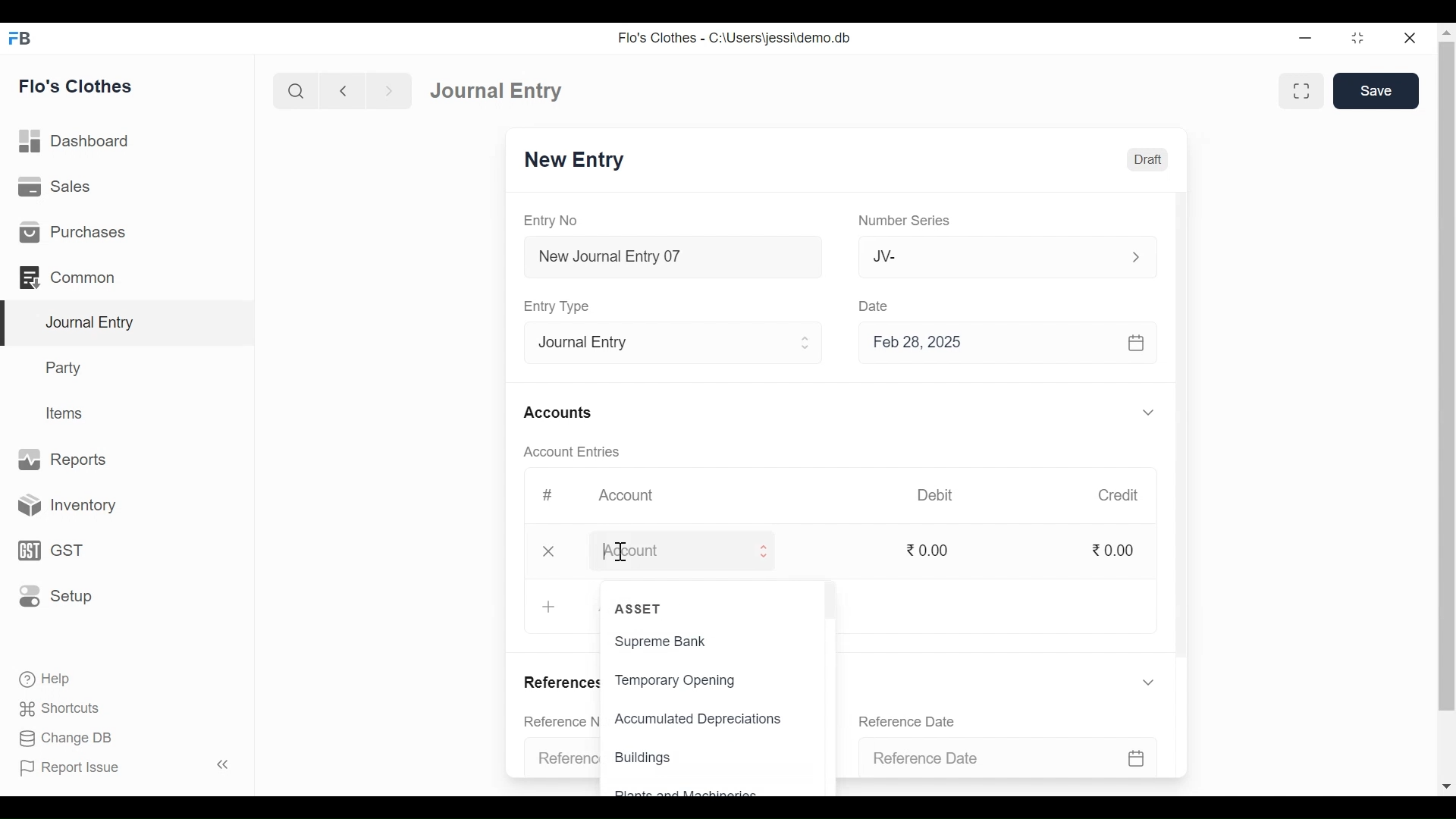  Describe the element at coordinates (1447, 786) in the screenshot. I see `Scroll down` at that location.